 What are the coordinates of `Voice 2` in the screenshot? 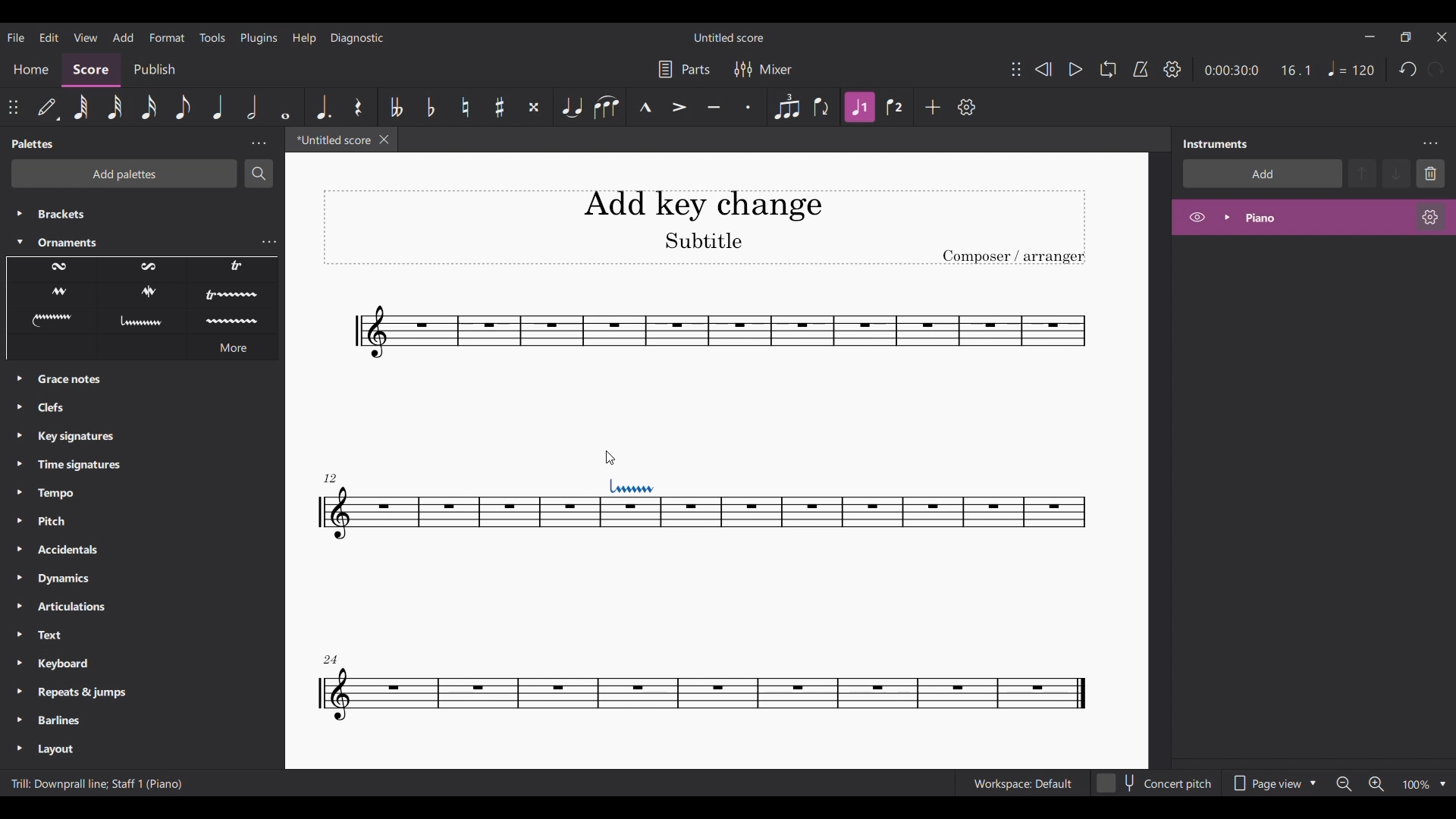 It's located at (895, 105).